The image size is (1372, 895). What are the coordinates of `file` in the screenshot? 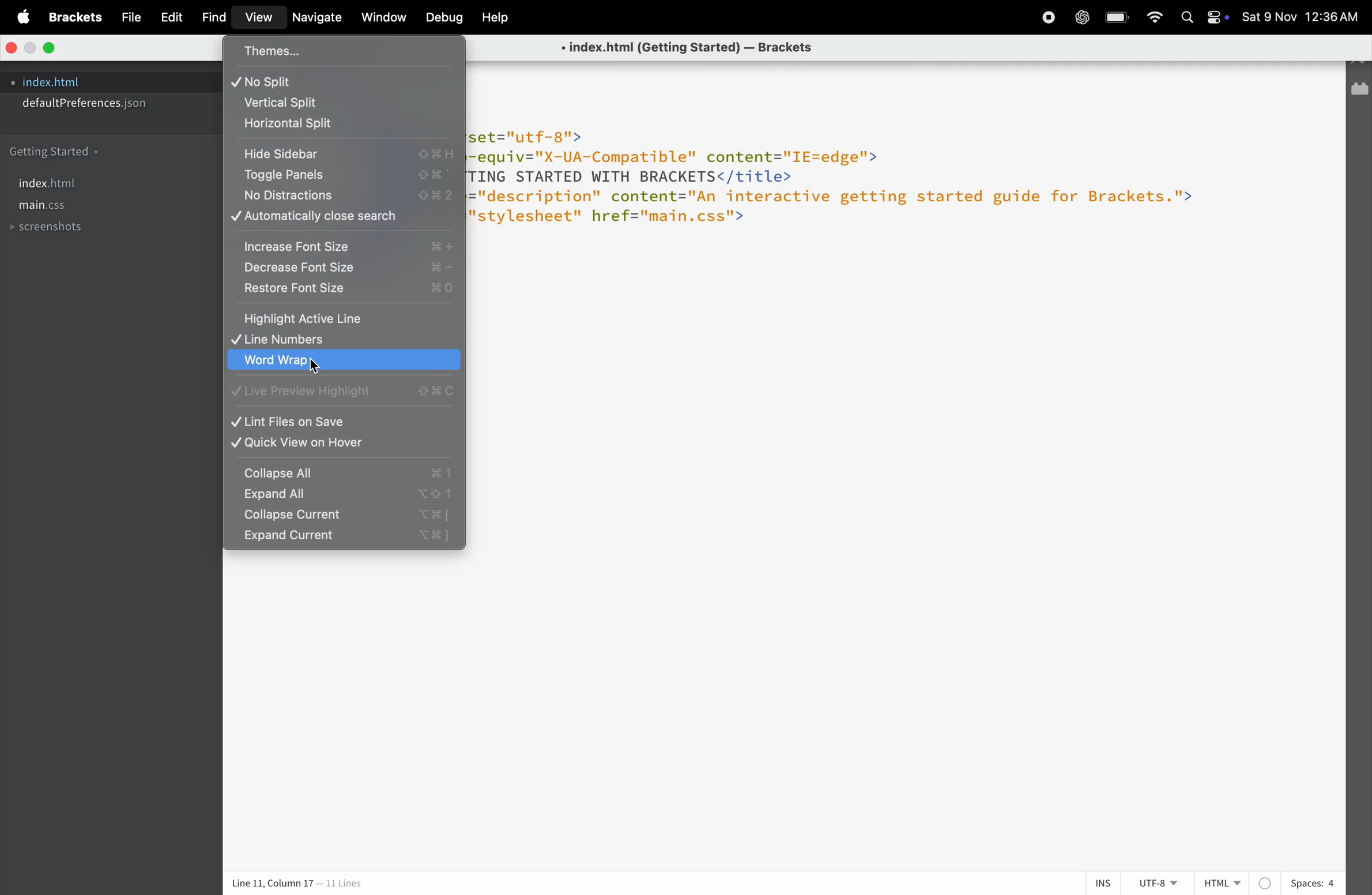 It's located at (127, 18).